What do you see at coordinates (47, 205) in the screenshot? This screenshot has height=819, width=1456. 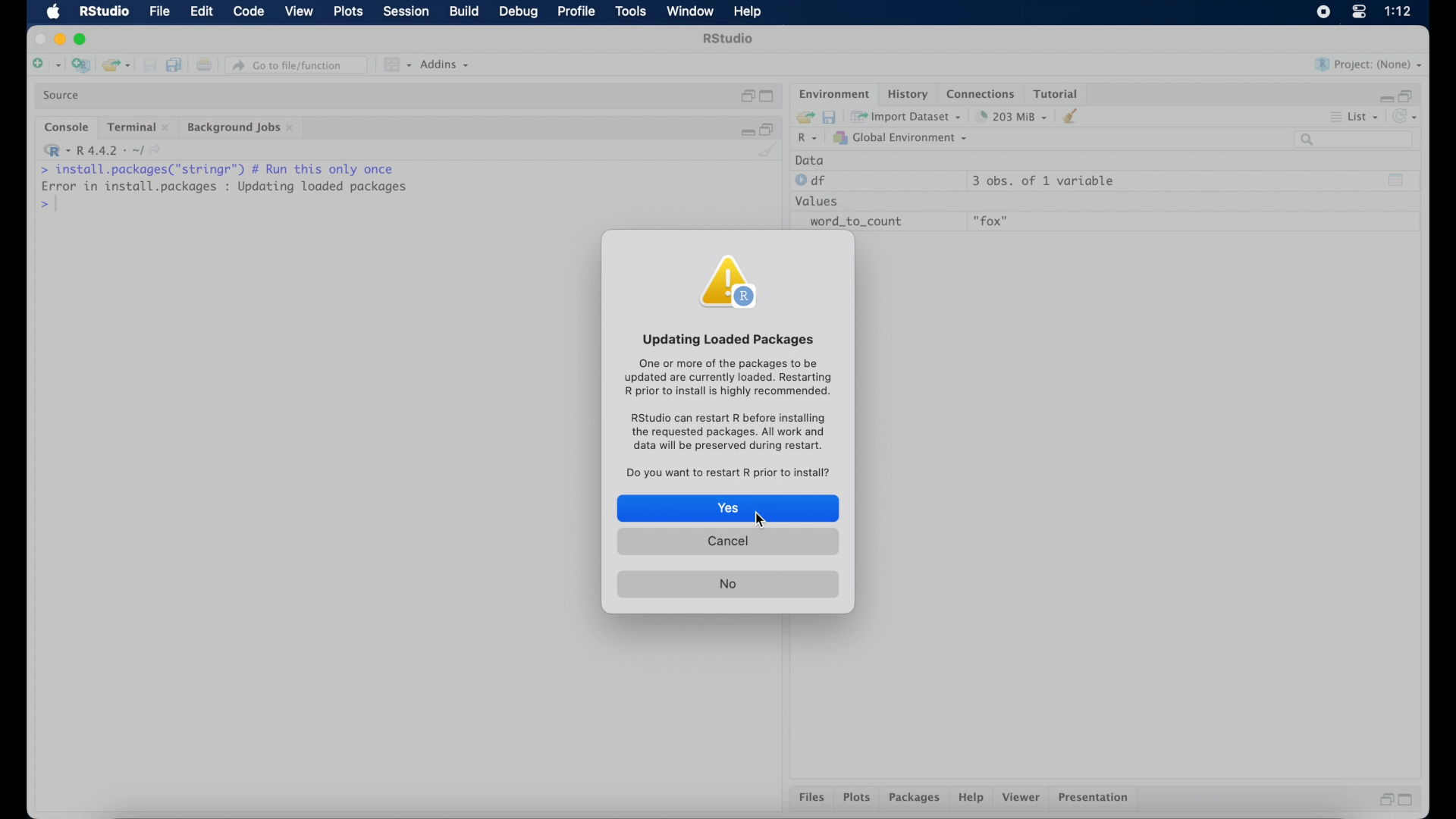 I see `command prompt` at bounding box center [47, 205].